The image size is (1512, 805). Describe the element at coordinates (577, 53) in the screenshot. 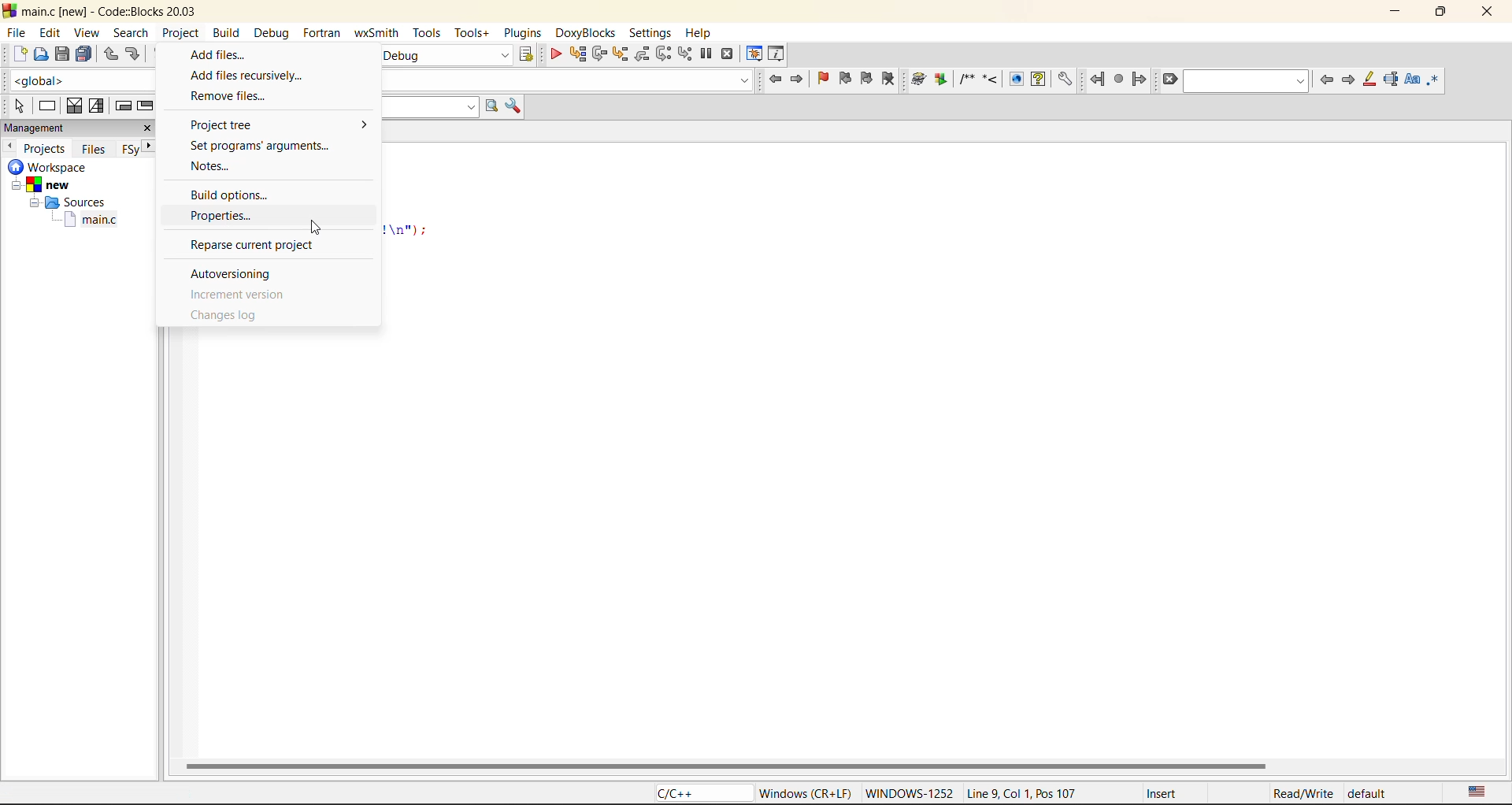

I see `run to cursor` at that location.